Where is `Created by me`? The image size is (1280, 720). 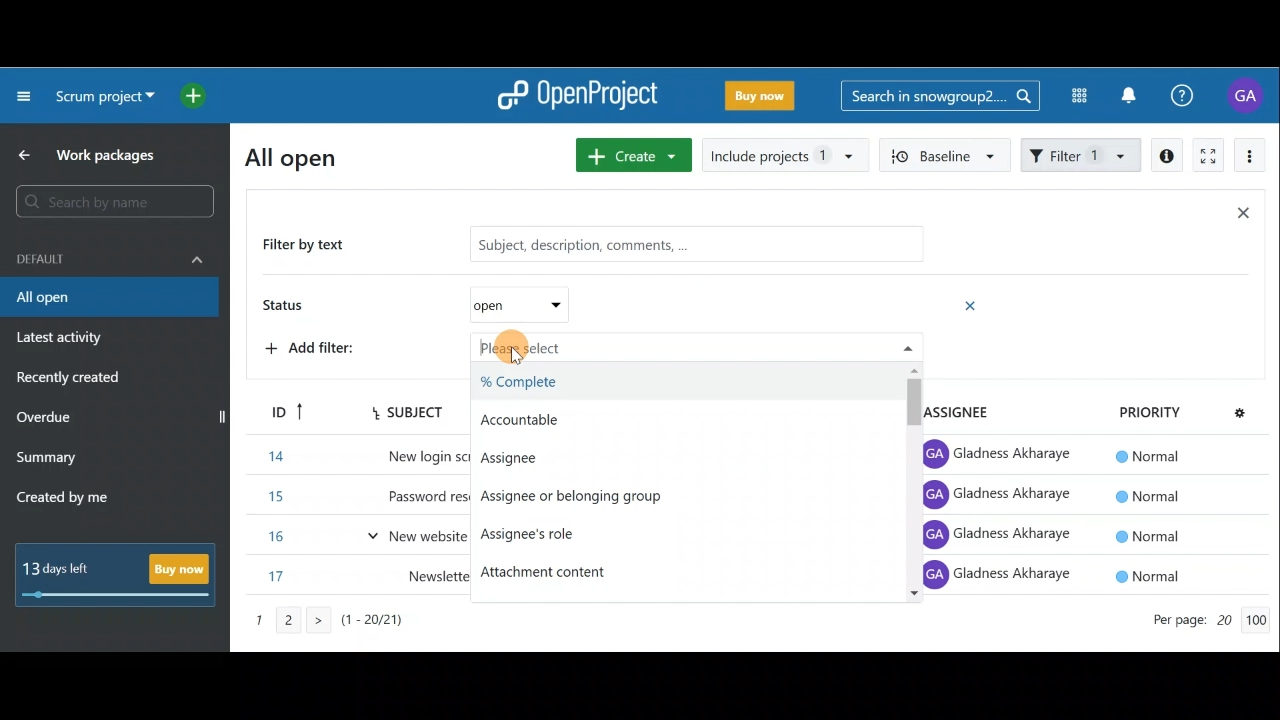
Created by me is located at coordinates (74, 500).